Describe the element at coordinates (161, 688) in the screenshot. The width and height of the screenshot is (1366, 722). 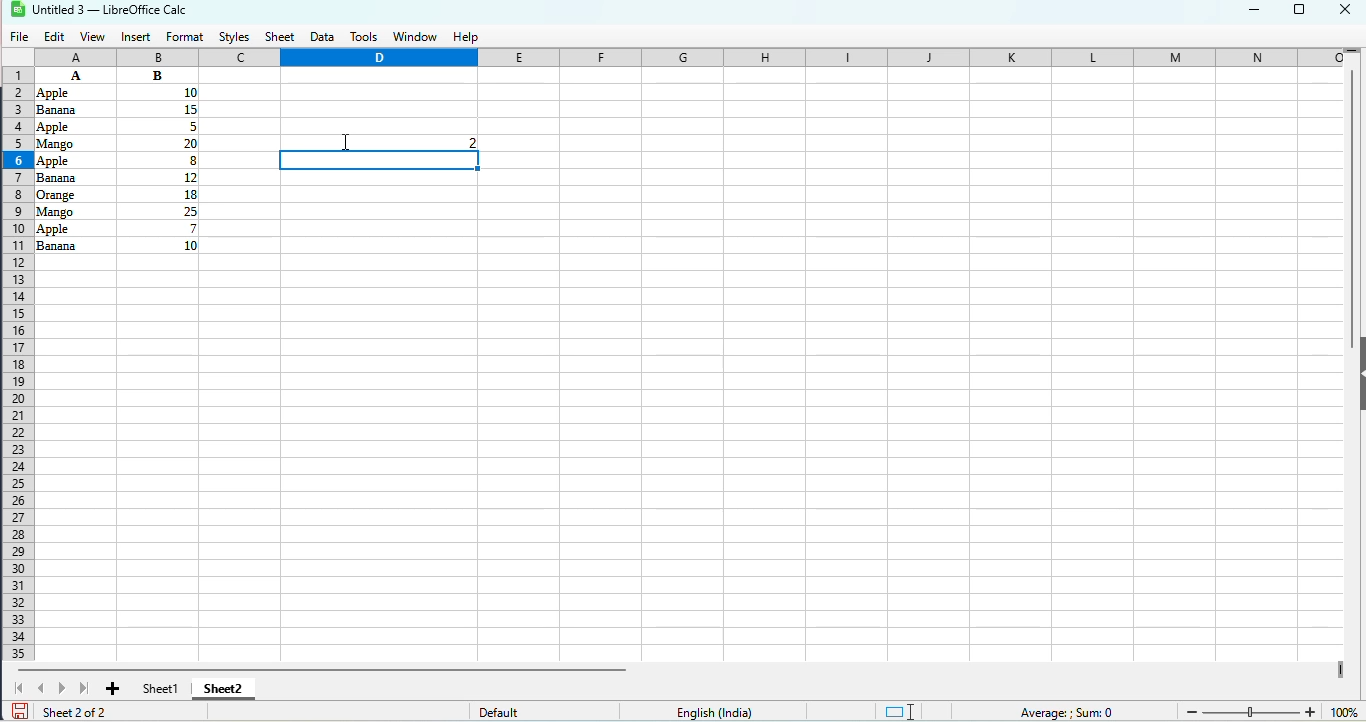
I see `sheet1` at that location.